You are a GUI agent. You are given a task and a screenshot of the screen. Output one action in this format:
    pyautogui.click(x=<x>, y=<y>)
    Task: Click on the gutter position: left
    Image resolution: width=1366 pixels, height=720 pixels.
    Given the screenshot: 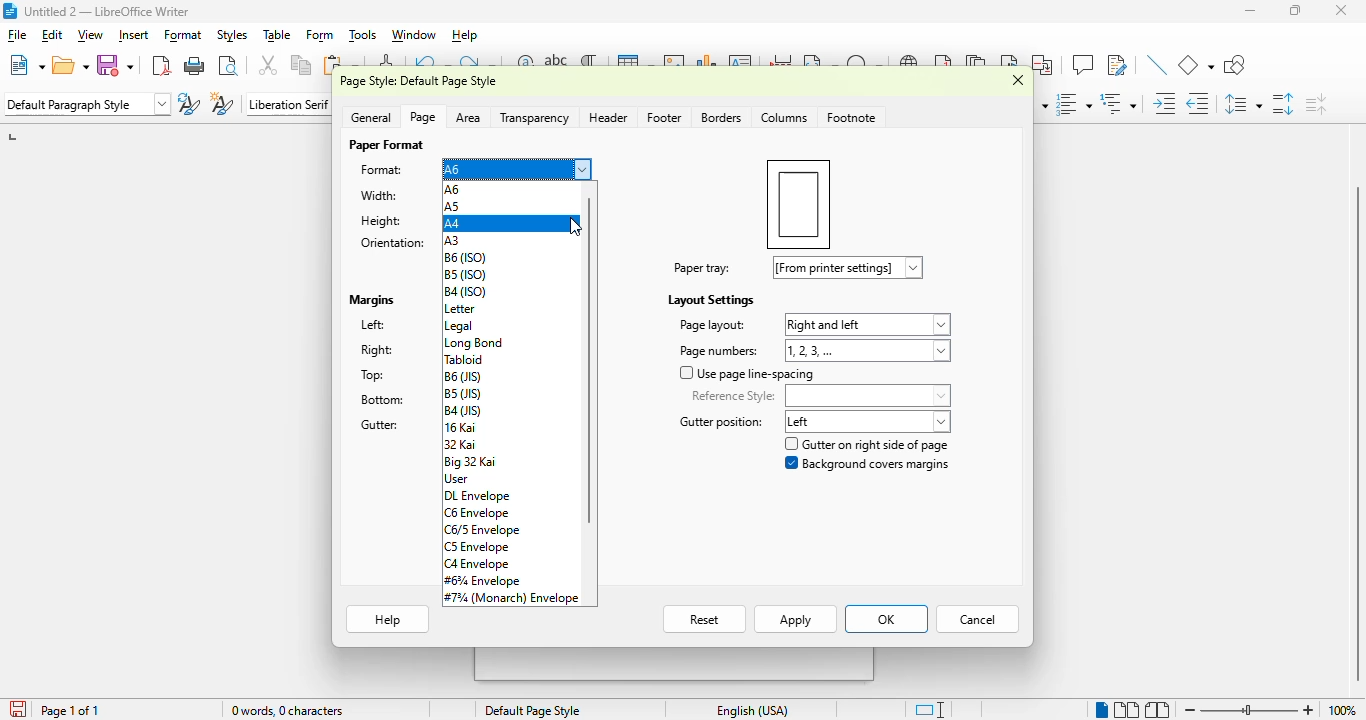 What is the action you would take?
    pyautogui.click(x=813, y=422)
    